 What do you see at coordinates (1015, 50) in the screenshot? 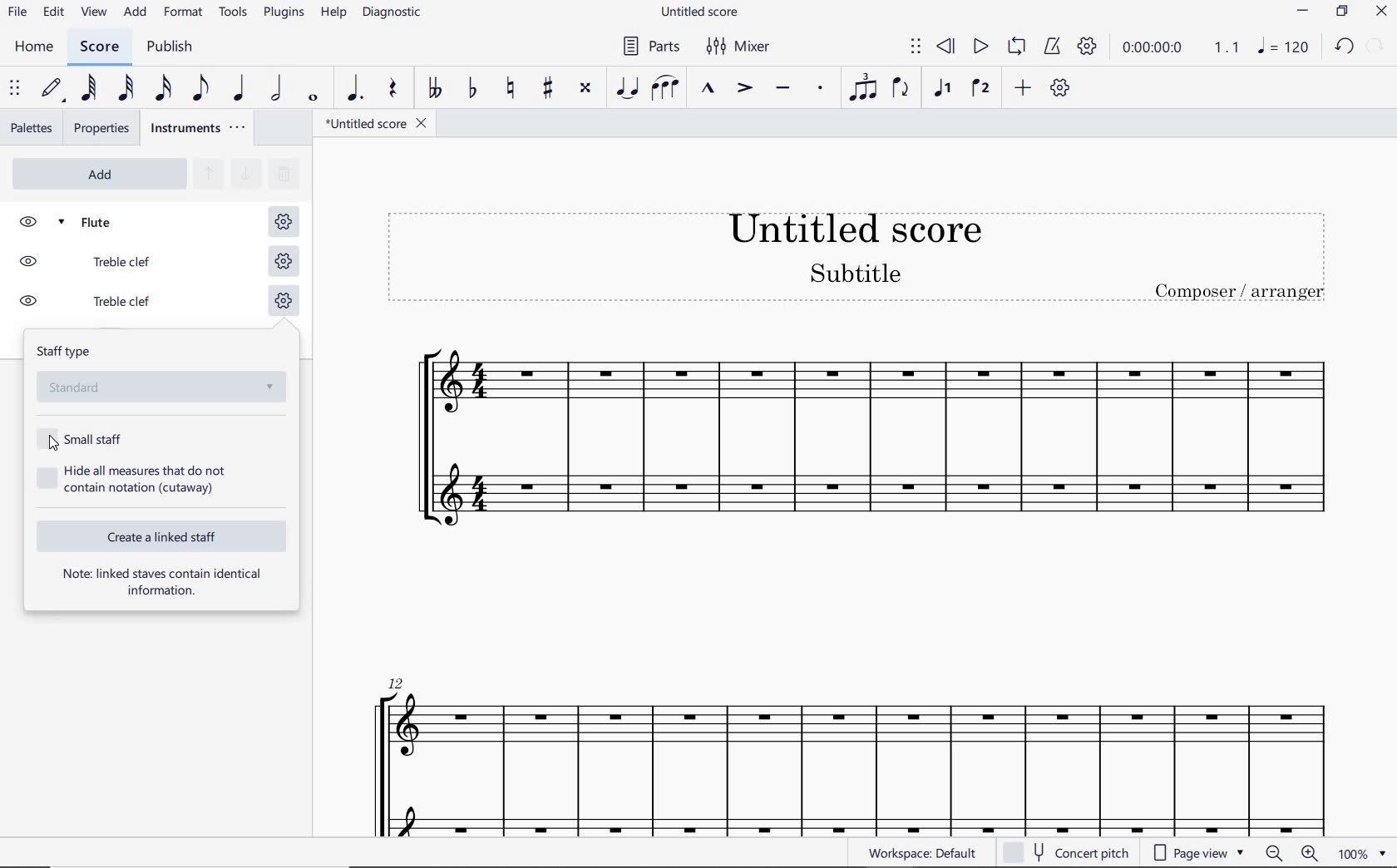
I see `LOOP PLAYBACK` at bounding box center [1015, 50].